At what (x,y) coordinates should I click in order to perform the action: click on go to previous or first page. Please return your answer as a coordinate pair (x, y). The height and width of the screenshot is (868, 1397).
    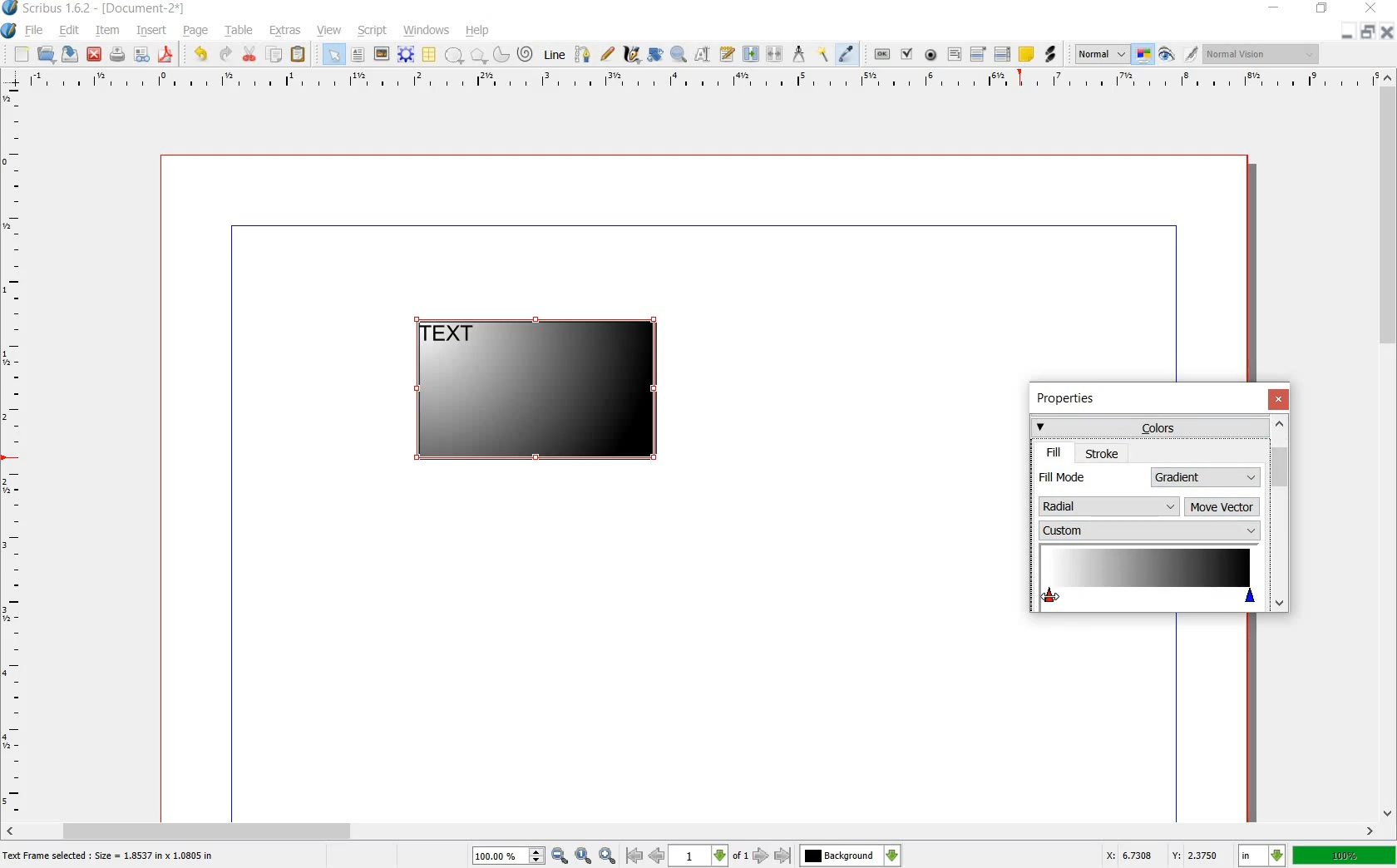
    Looking at the image, I should click on (644, 856).